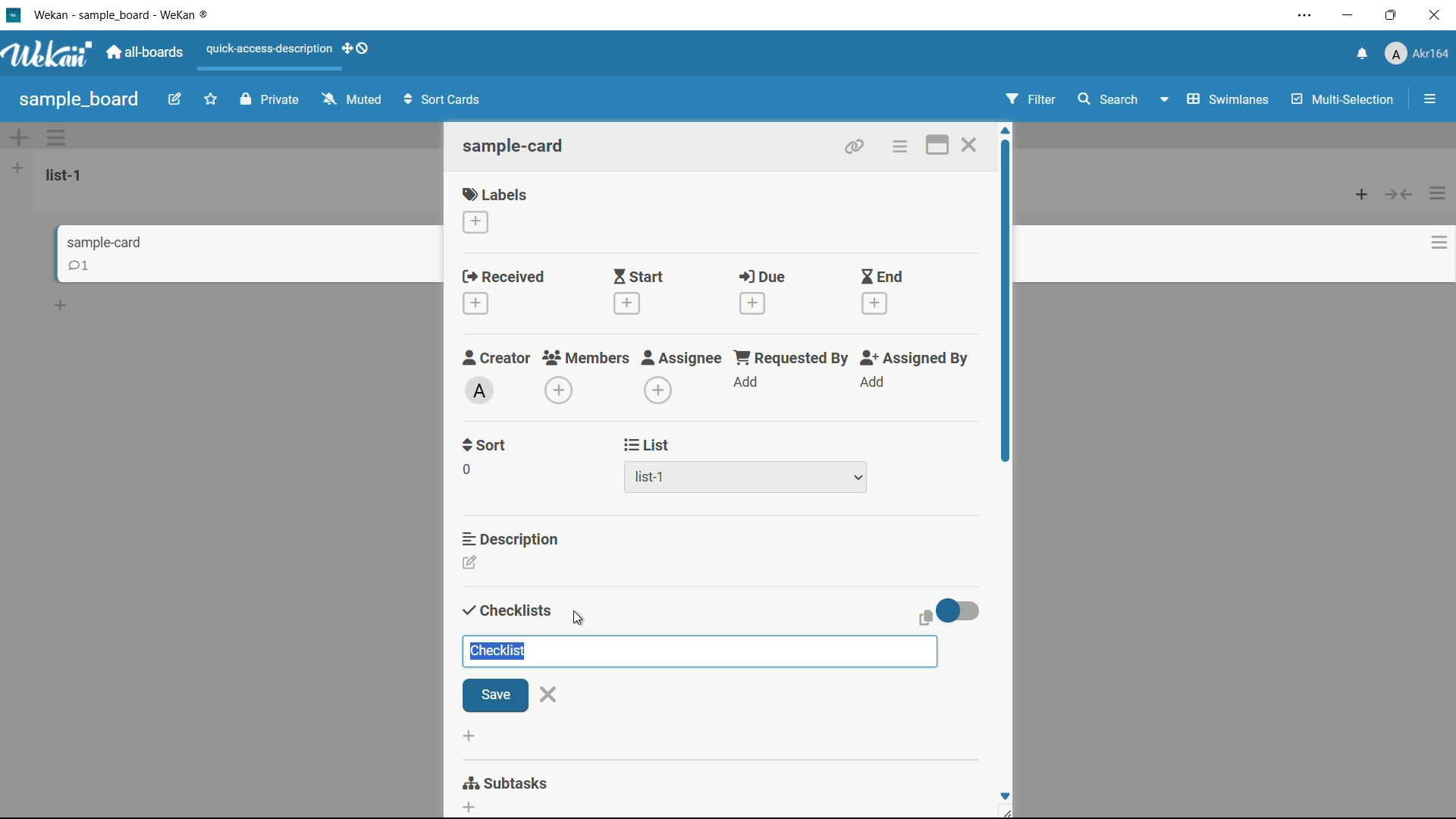 This screenshot has width=1456, height=819. Describe the element at coordinates (649, 447) in the screenshot. I see `list` at that location.